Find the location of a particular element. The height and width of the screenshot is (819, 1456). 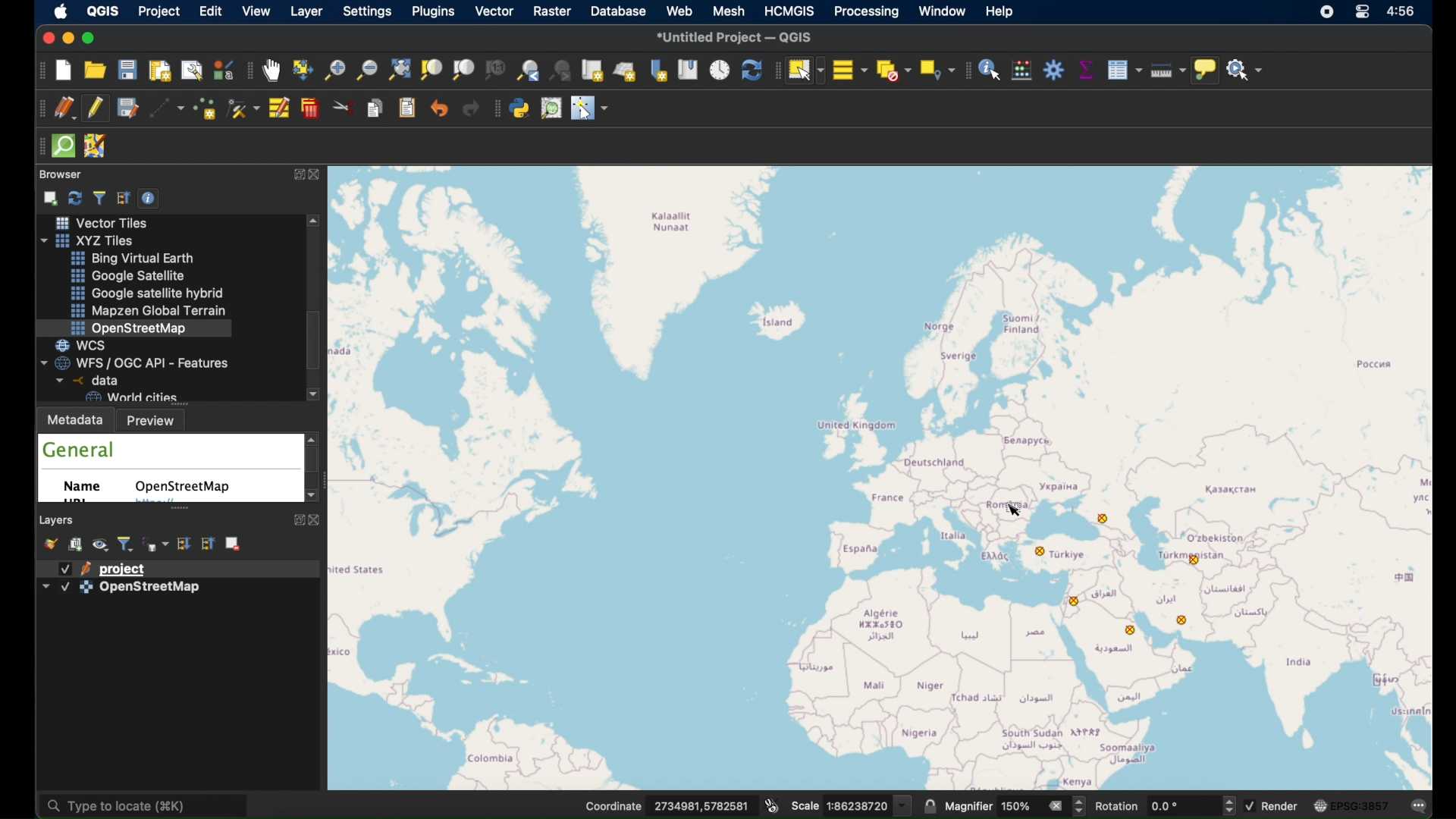

plugins toolbar is located at coordinates (494, 110).